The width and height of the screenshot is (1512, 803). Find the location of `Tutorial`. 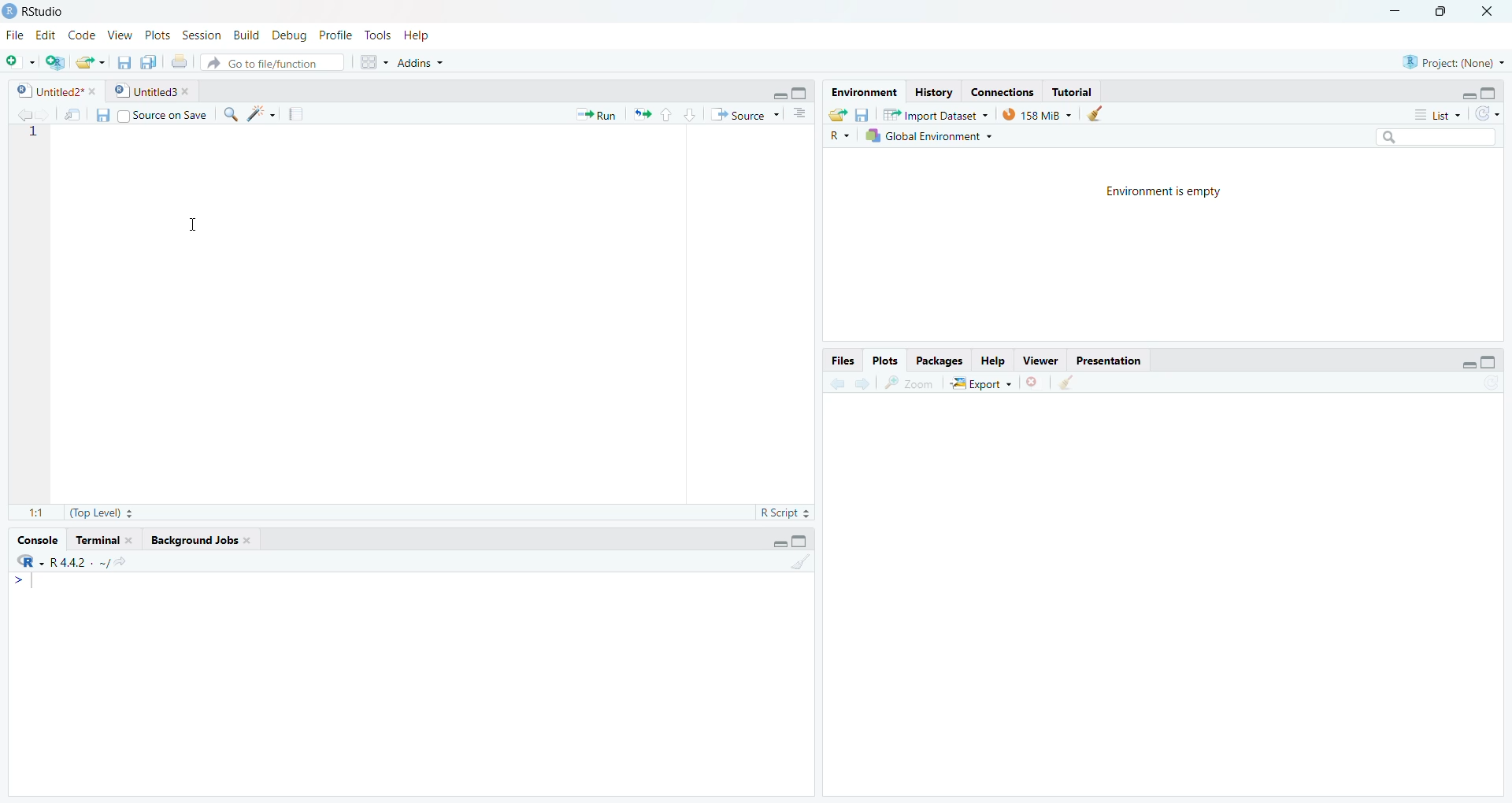

Tutorial is located at coordinates (1074, 91).